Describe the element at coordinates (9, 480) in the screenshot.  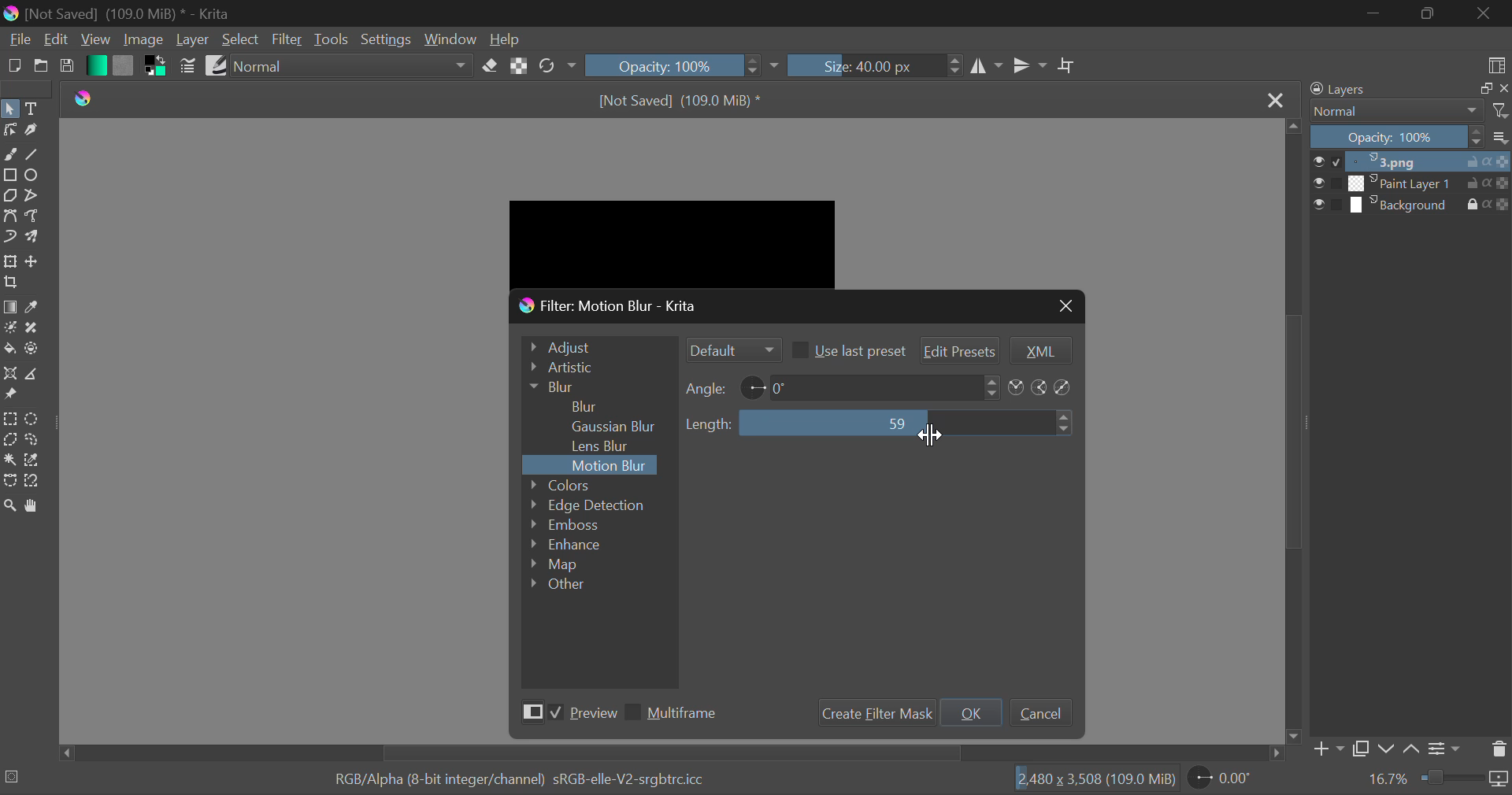
I see `Bezier Curve Selection Tool` at that location.